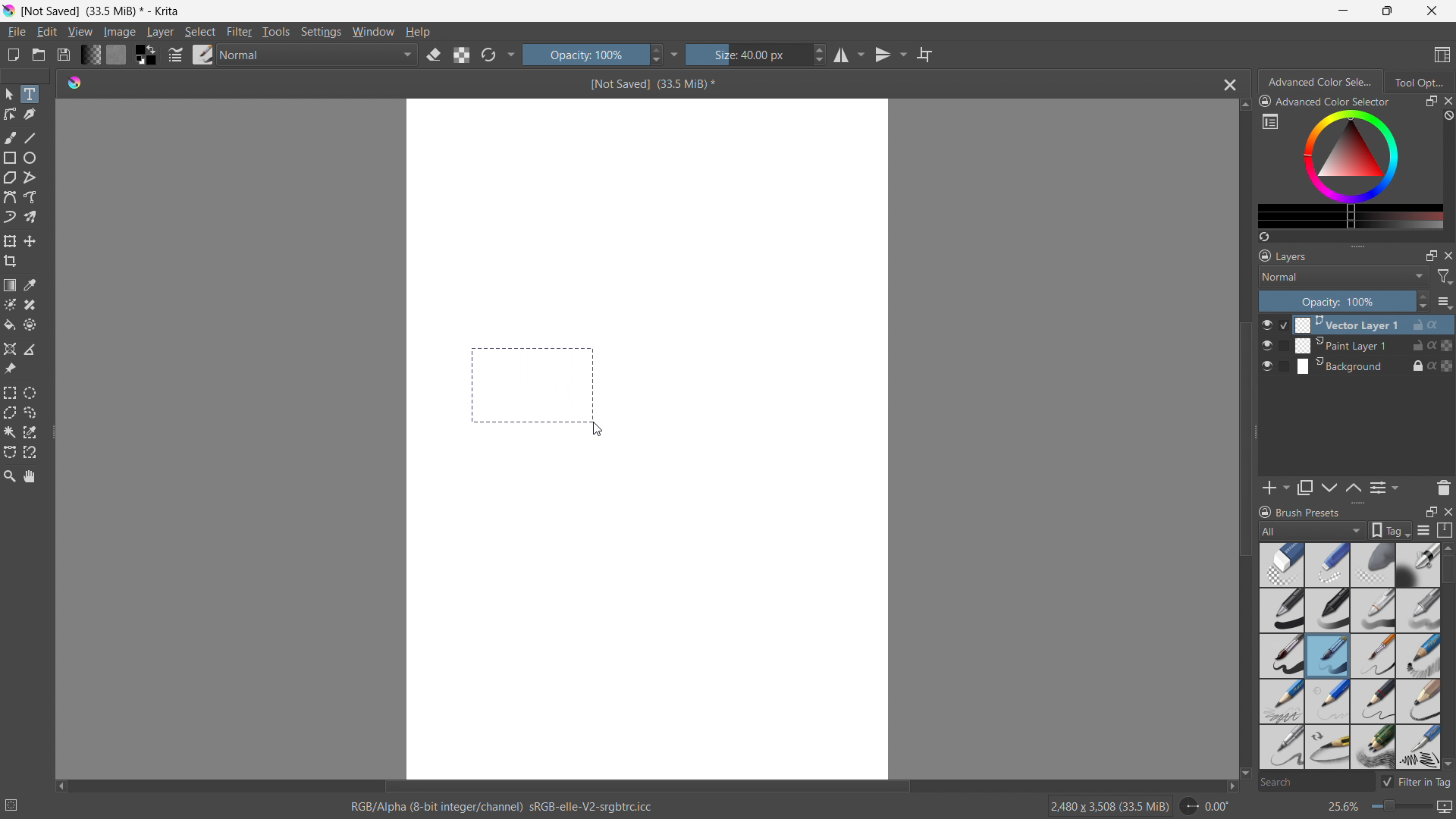  I want to click on blur pencil, so click(1418, 609).